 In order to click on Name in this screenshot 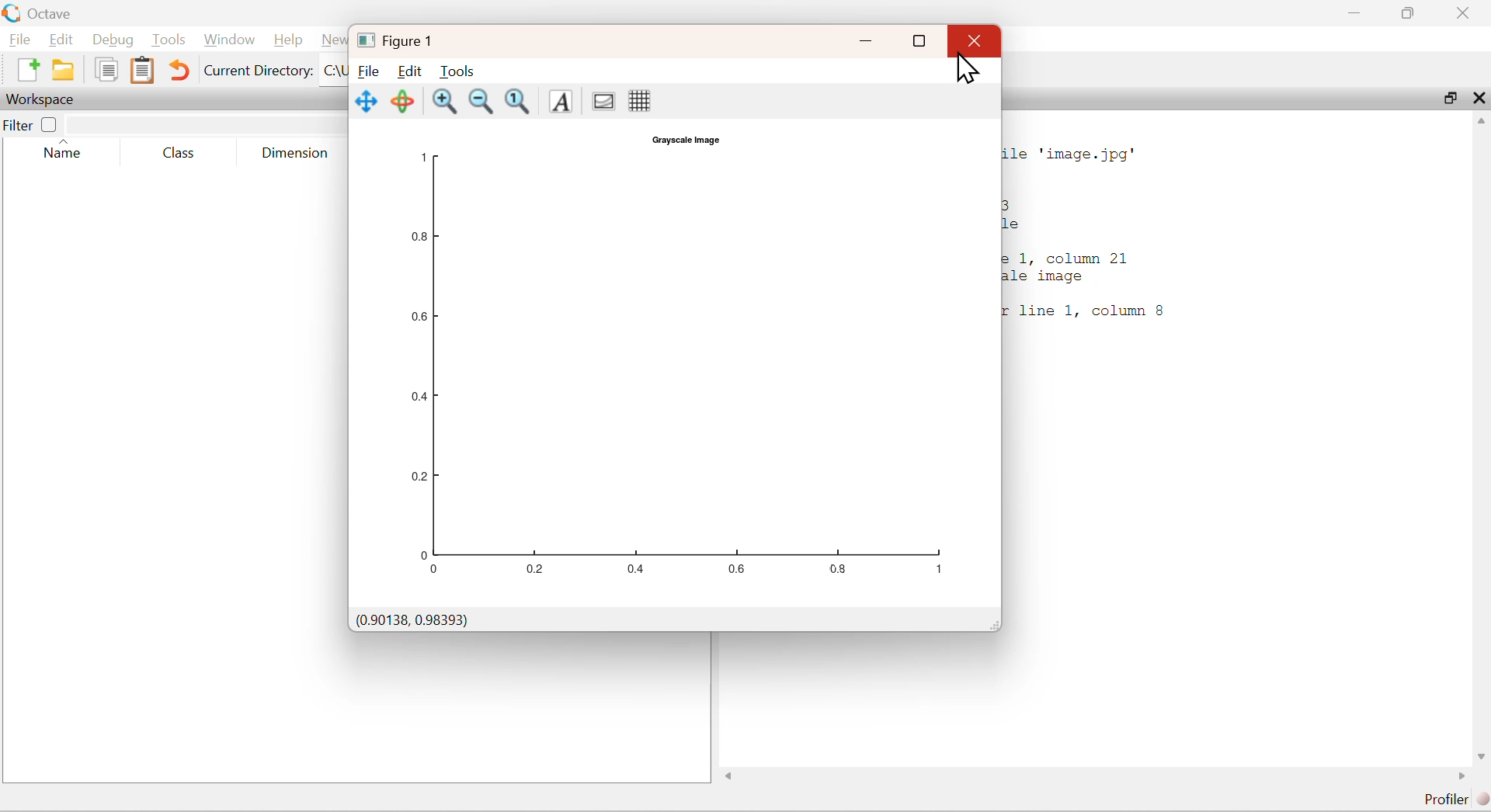, I will do `click(68, 151)`.